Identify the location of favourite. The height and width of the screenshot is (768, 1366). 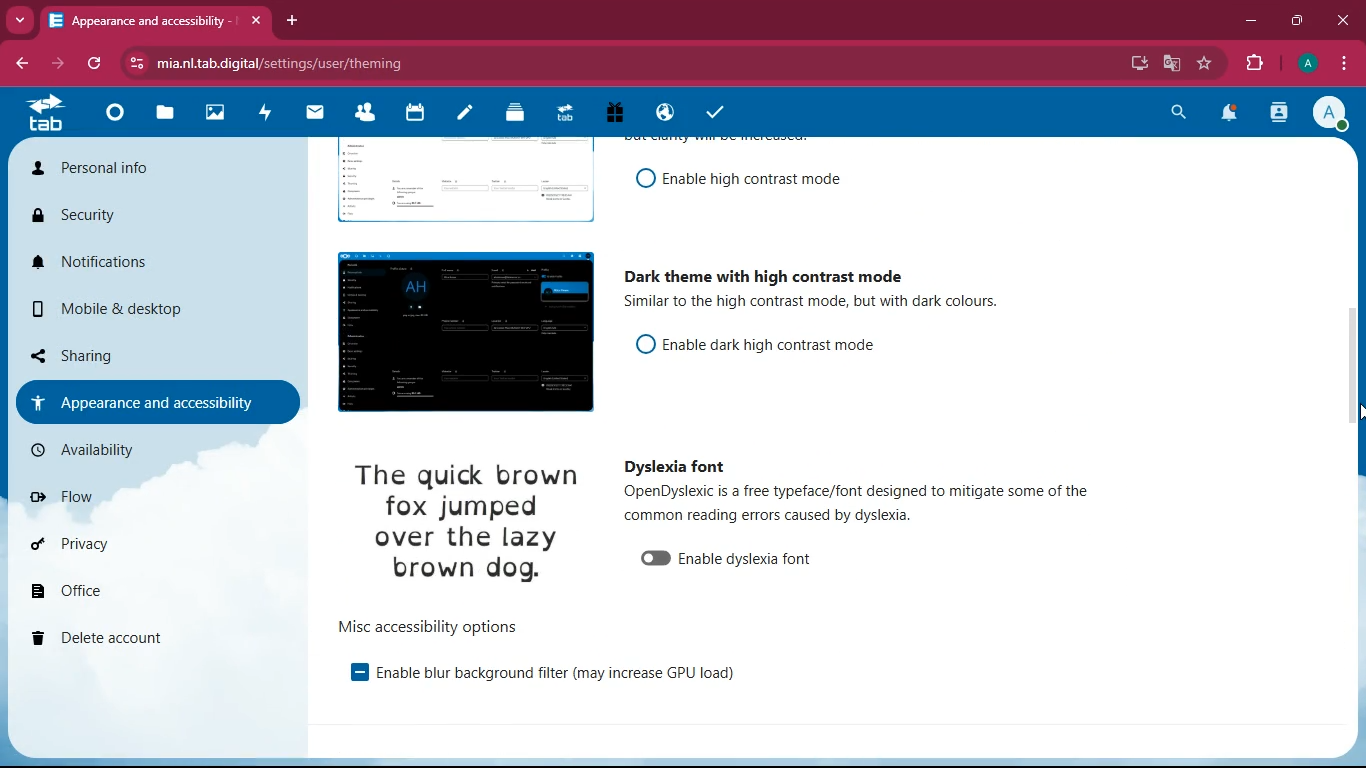
(1201, 64).